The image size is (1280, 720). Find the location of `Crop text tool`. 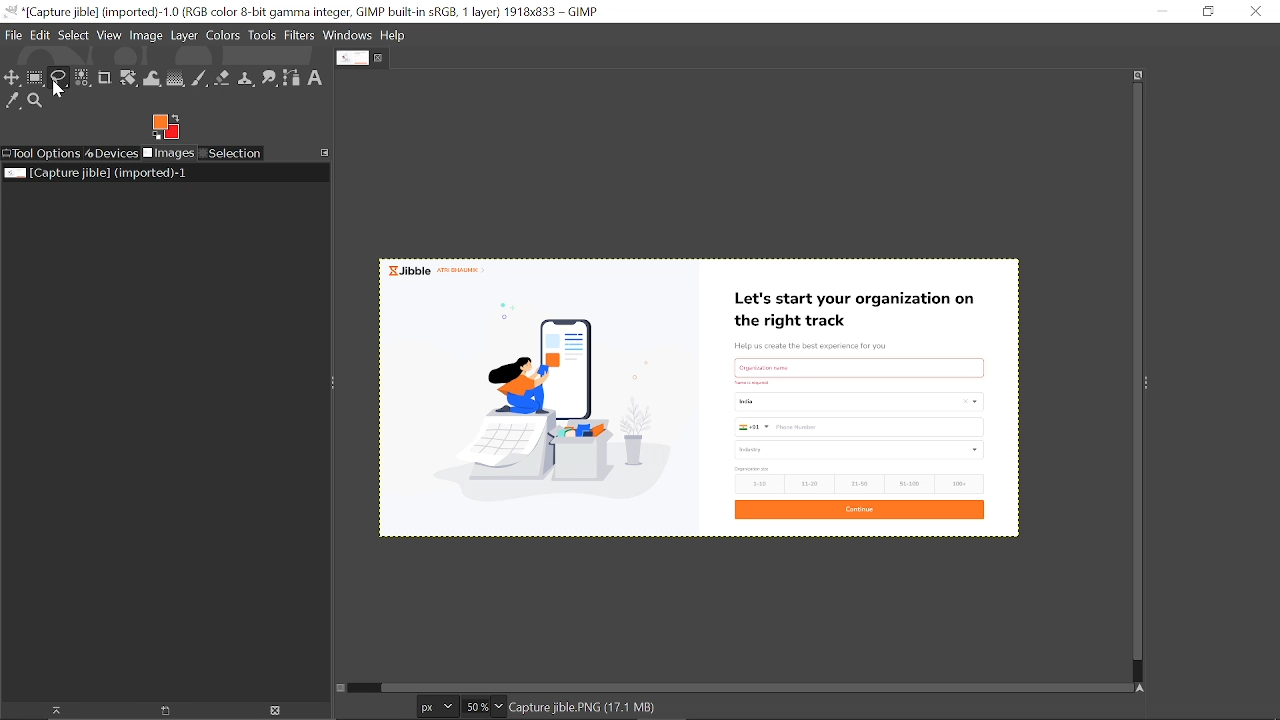

Crop text tool is located at coordinates (105, 79).